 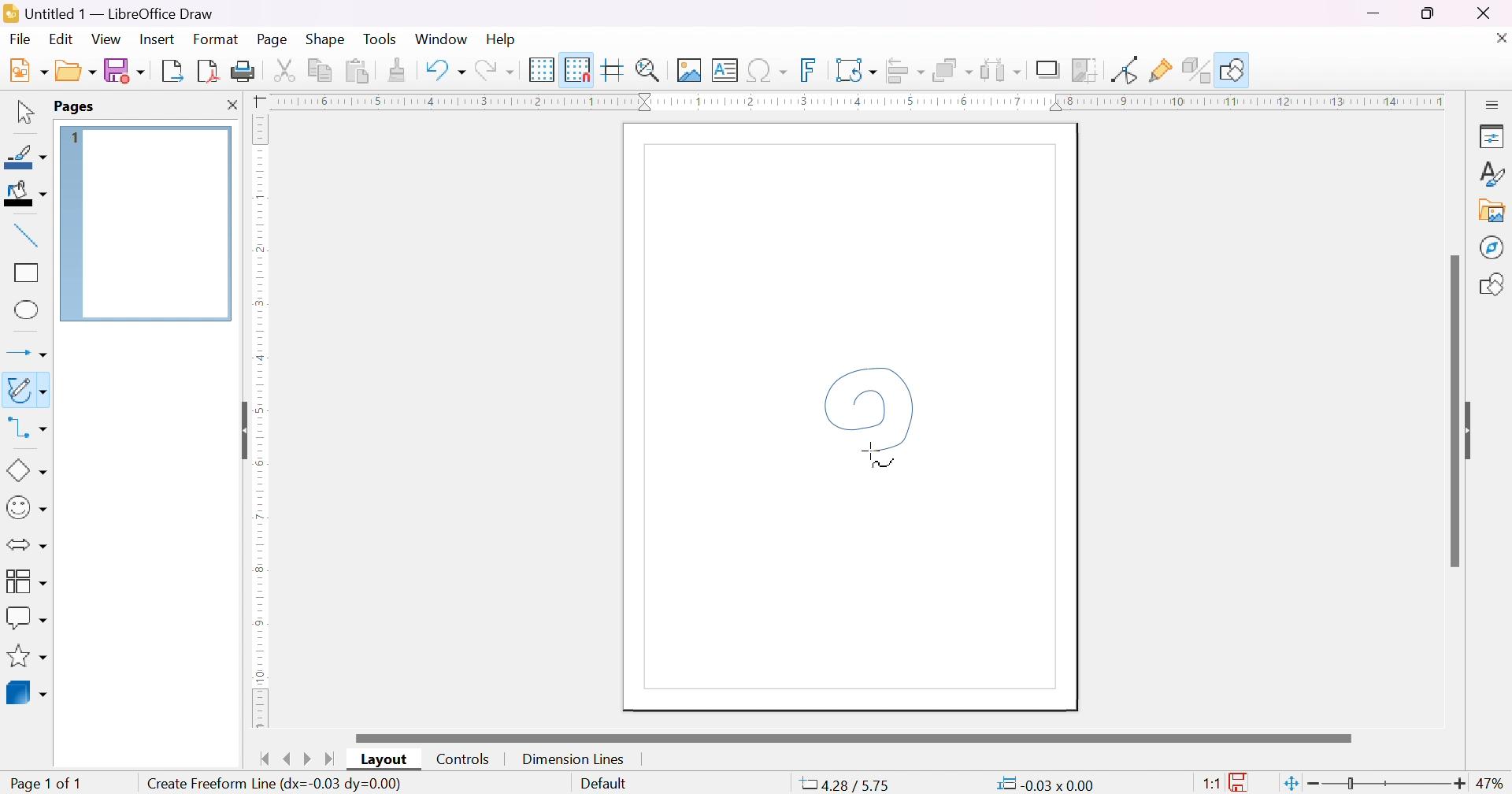 What do you see at coordinates (23, 429) in the screenshot?
I see `connectors` at bounding box center [23, 429].